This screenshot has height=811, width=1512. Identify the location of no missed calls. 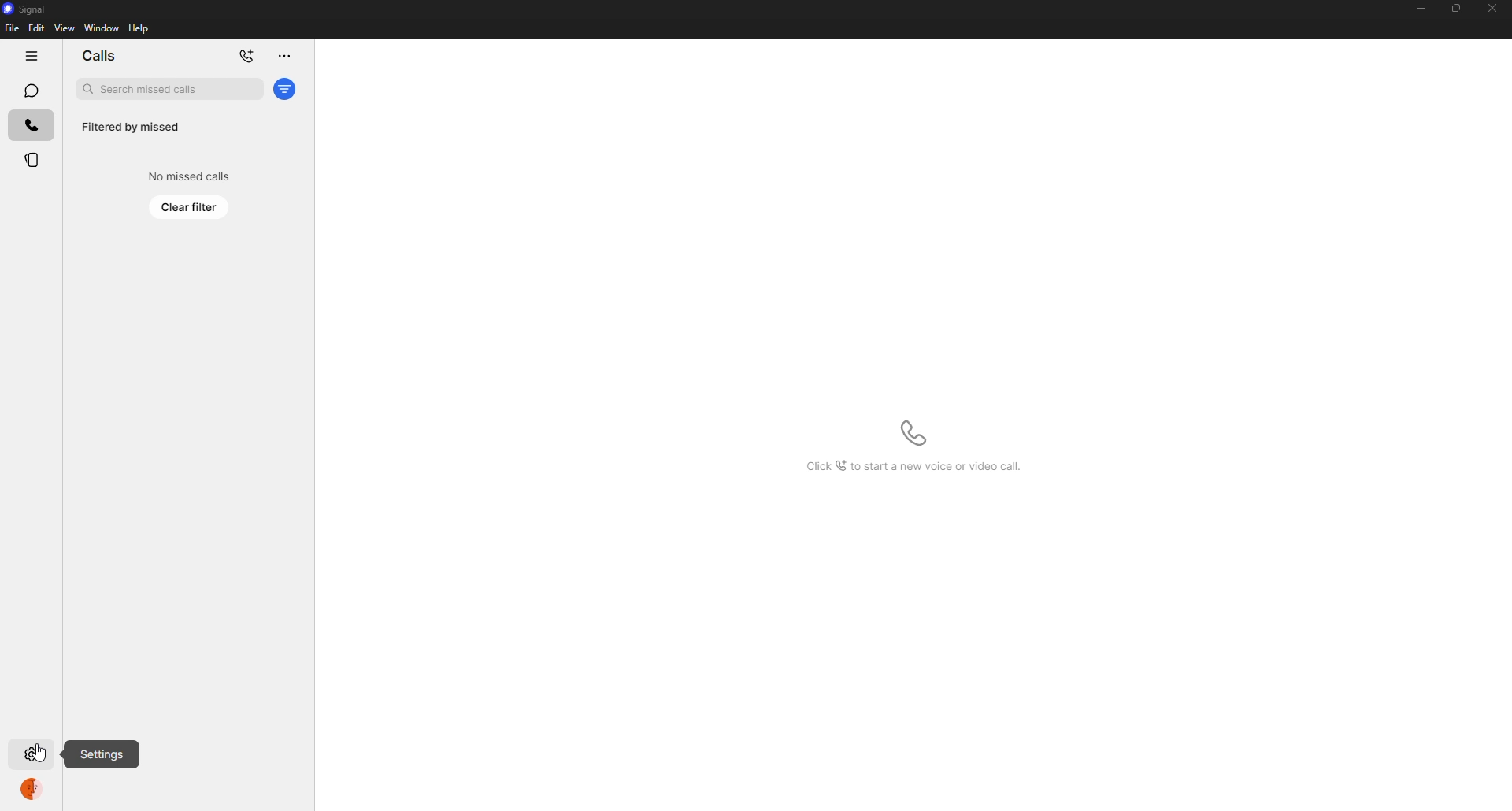
(186, 176).